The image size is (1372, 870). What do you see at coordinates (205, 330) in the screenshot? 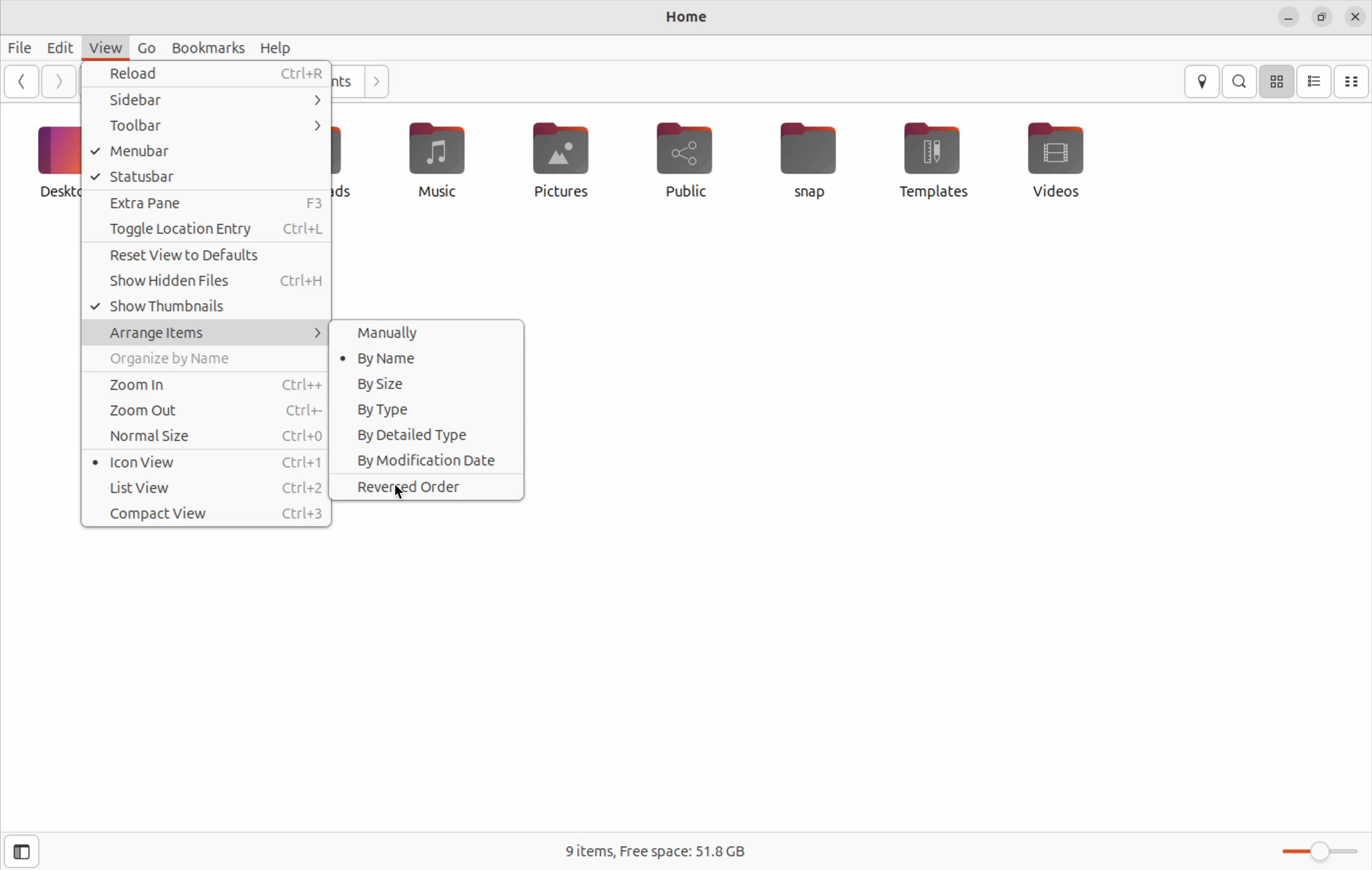
I see `arrange items` at bounding box center [205, 330].